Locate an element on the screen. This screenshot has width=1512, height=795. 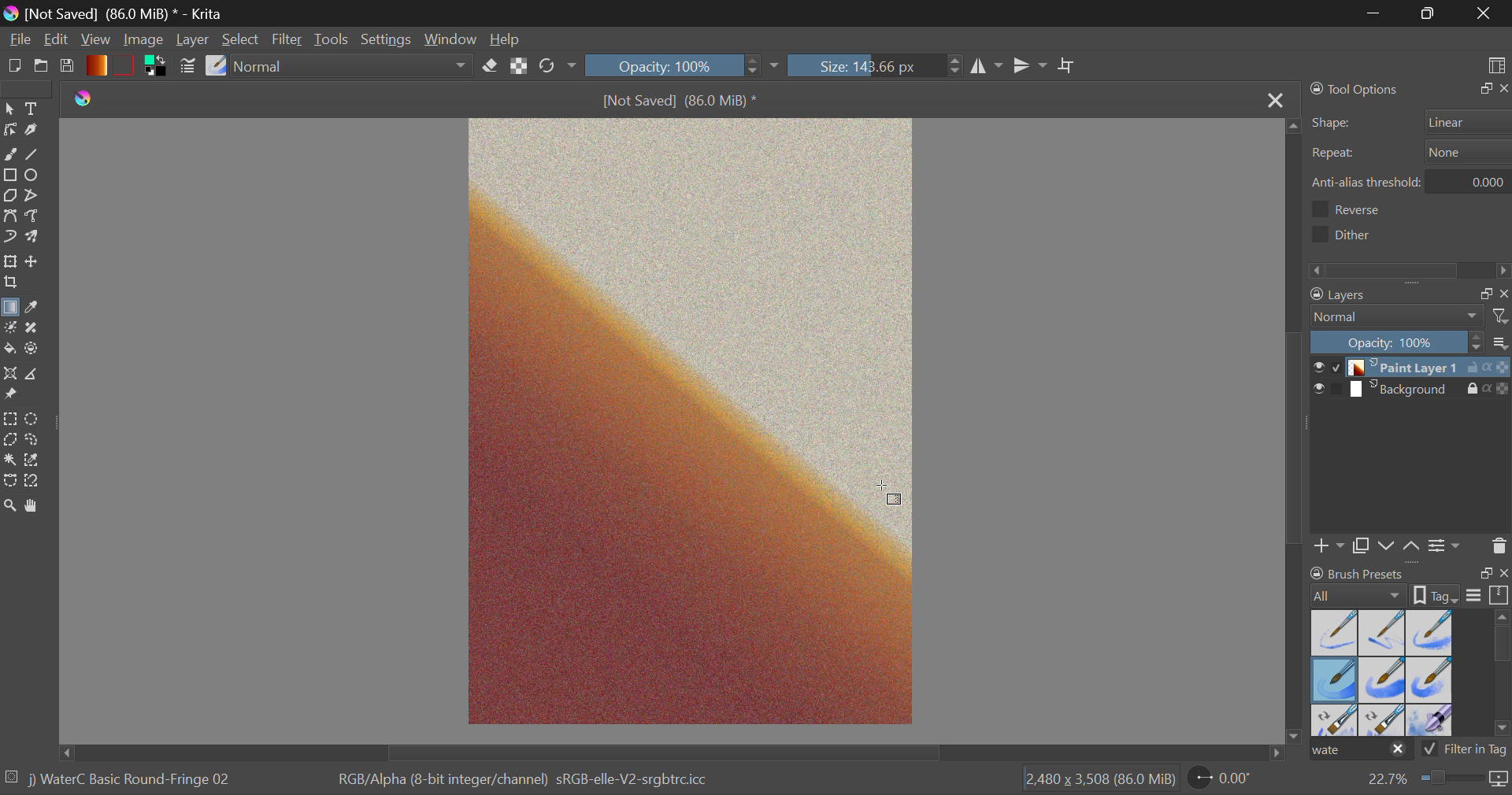
lock is located at coordinates (1475, 390).